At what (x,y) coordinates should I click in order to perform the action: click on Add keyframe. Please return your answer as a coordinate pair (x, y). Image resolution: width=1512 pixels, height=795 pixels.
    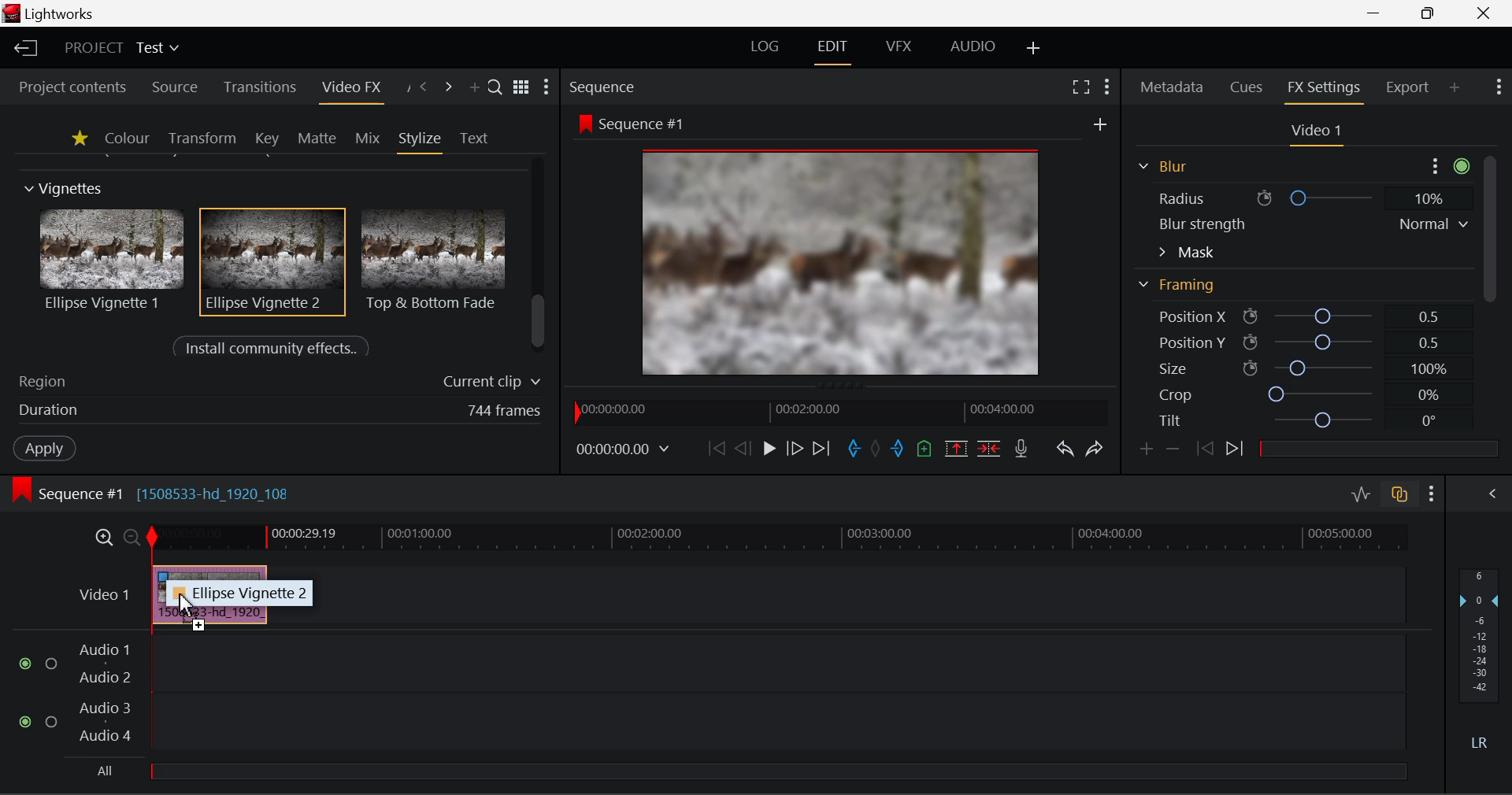
    Looking at the image, I should click on (1145, 449).